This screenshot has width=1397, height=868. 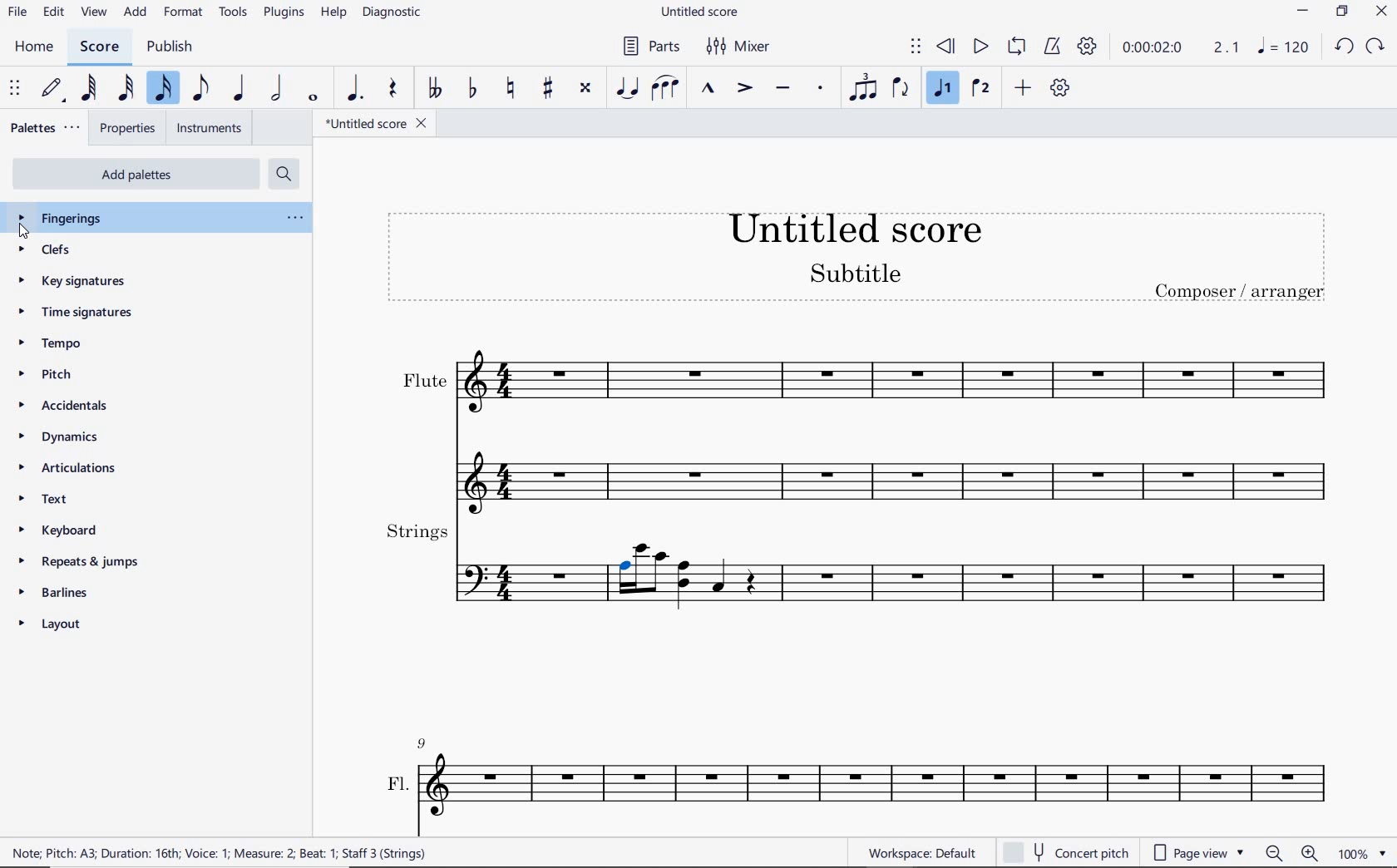 I want to click on tuplet, so click(x=864, y=89).